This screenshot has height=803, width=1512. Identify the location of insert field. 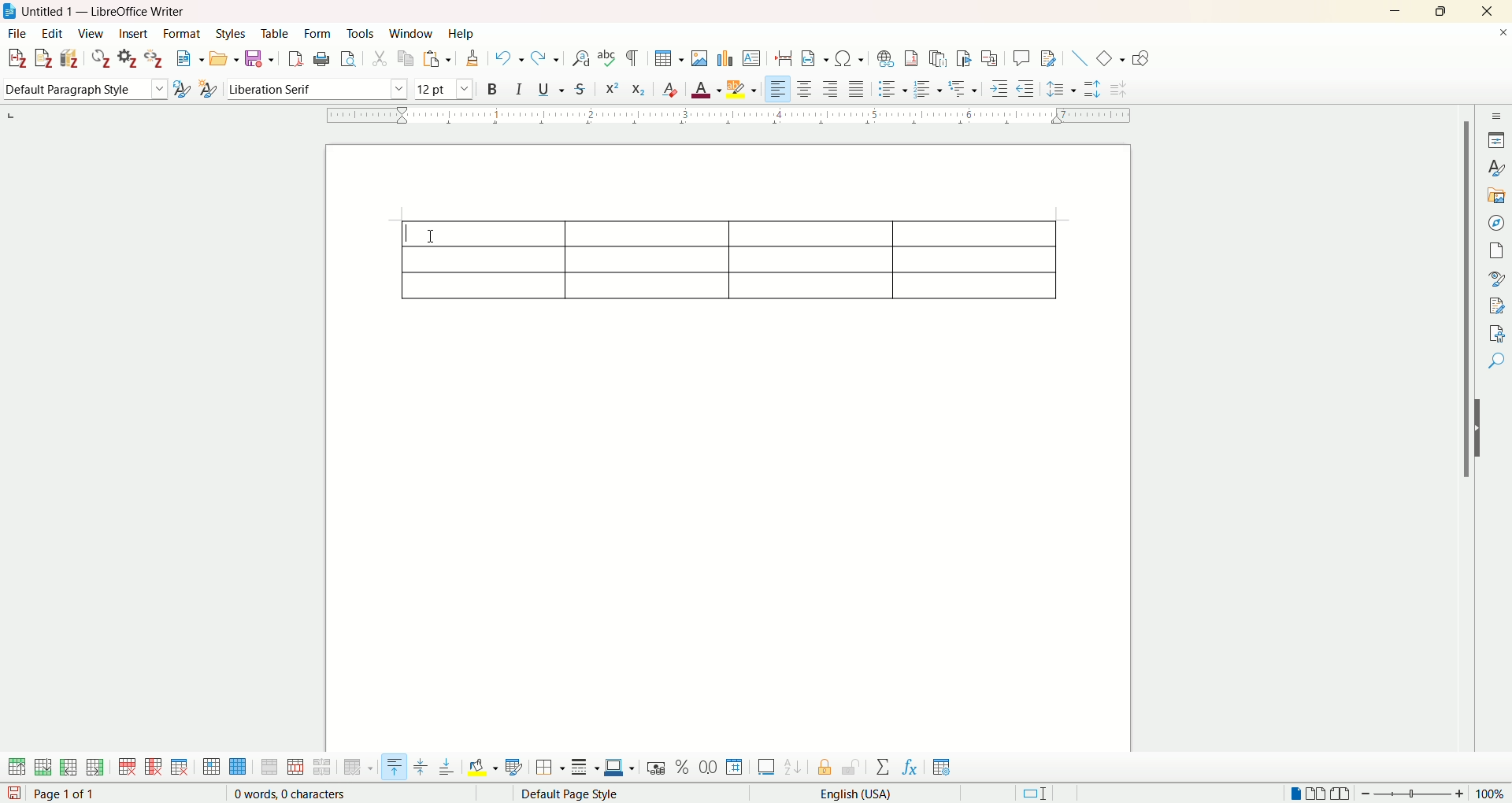
(814, 58).